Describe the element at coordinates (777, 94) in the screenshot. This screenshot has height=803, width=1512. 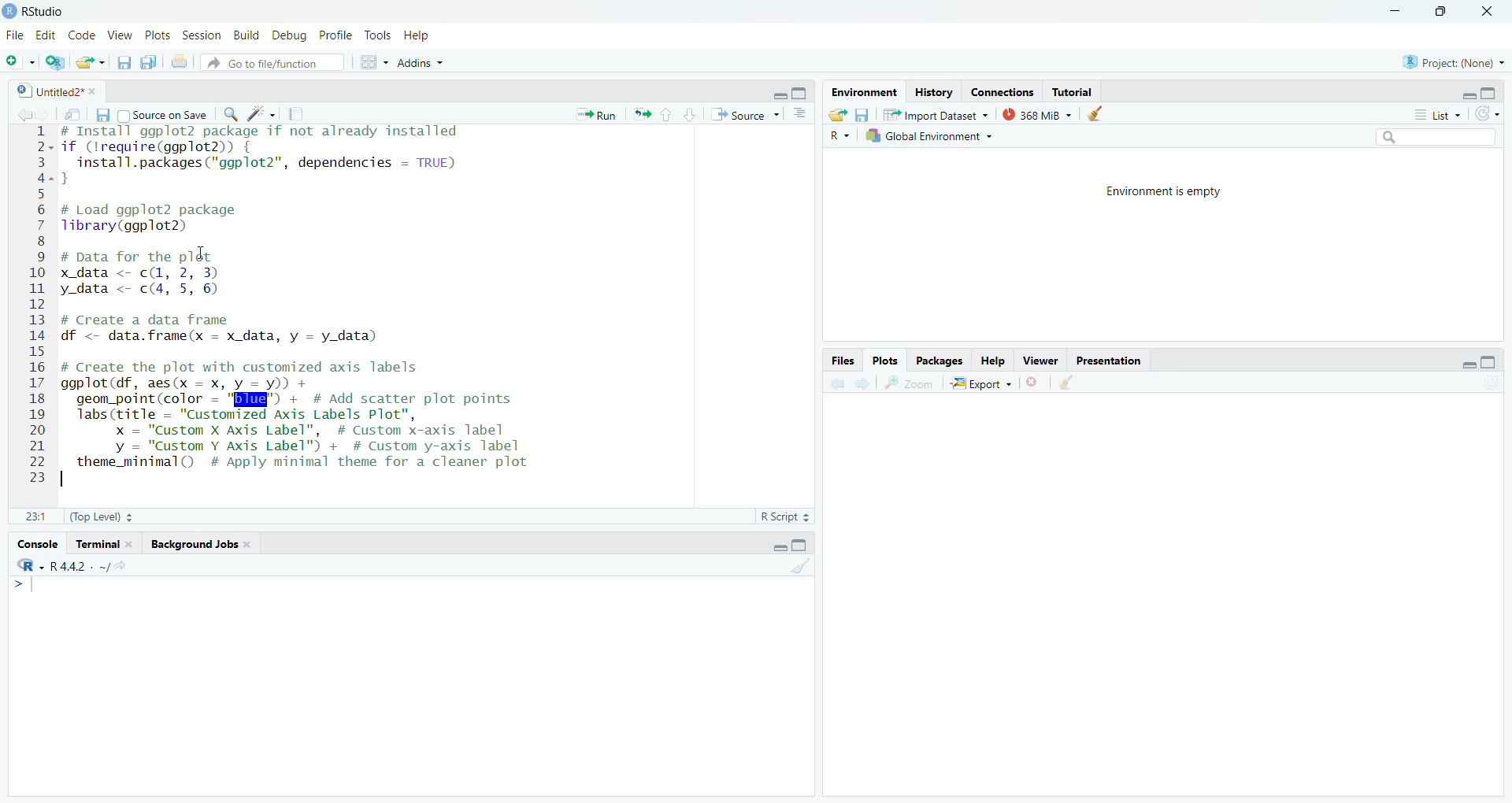
I see `minimise` at that location.